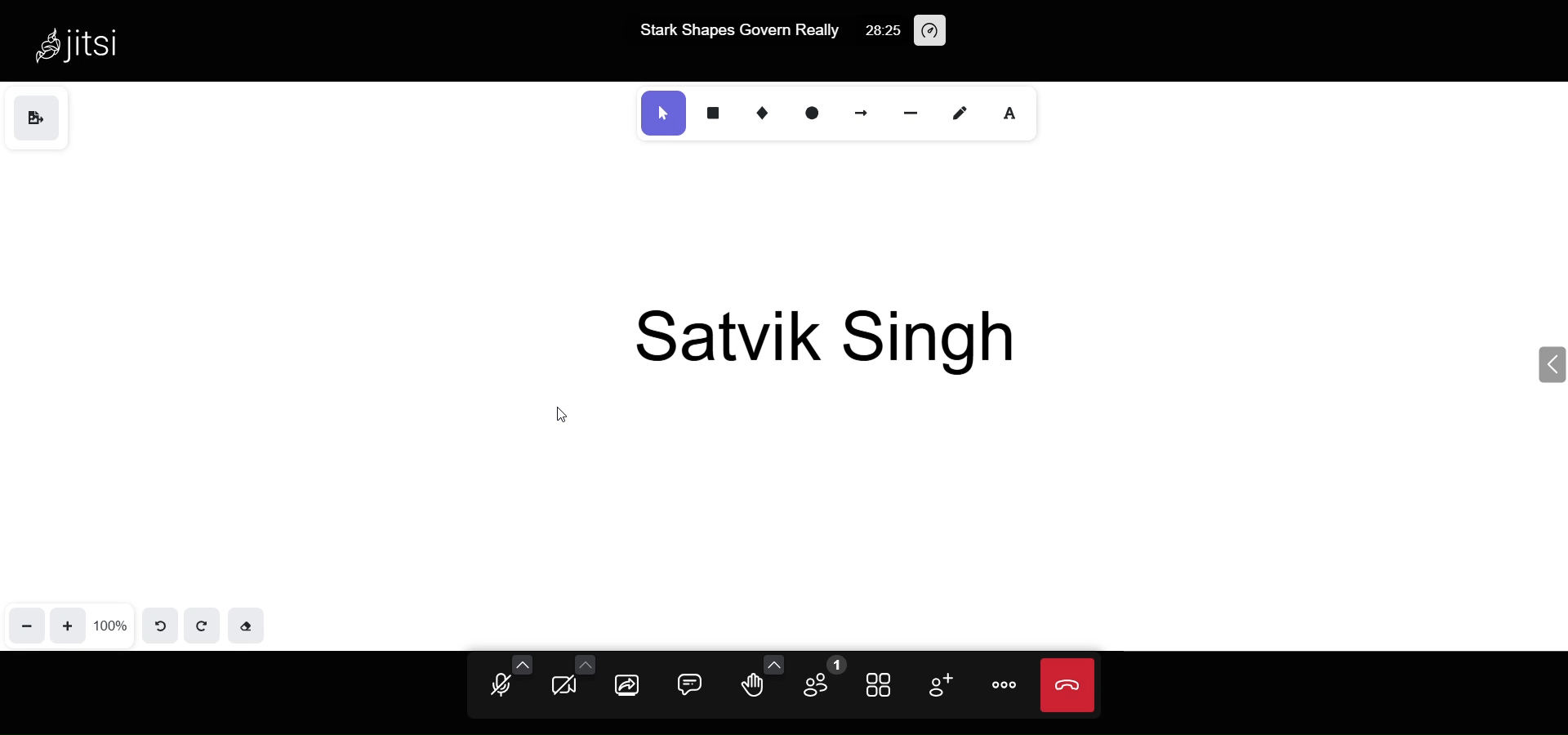  Describe the element at coordinates (711, 112) in the screenshot. I see `rectangle` at that location.